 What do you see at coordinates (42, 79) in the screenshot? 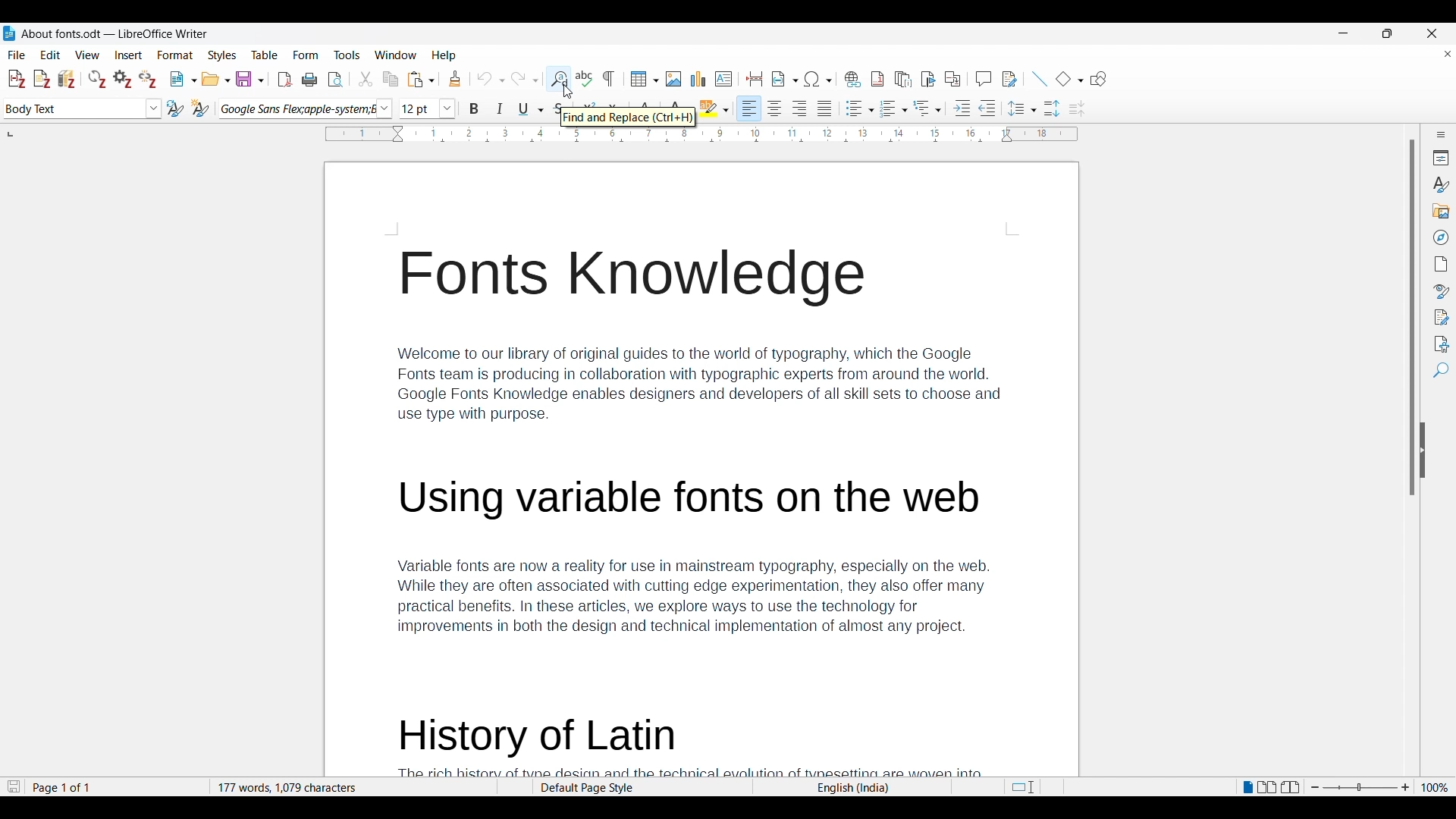
I see `Add/Edit note` at bounding box center [42, 79].